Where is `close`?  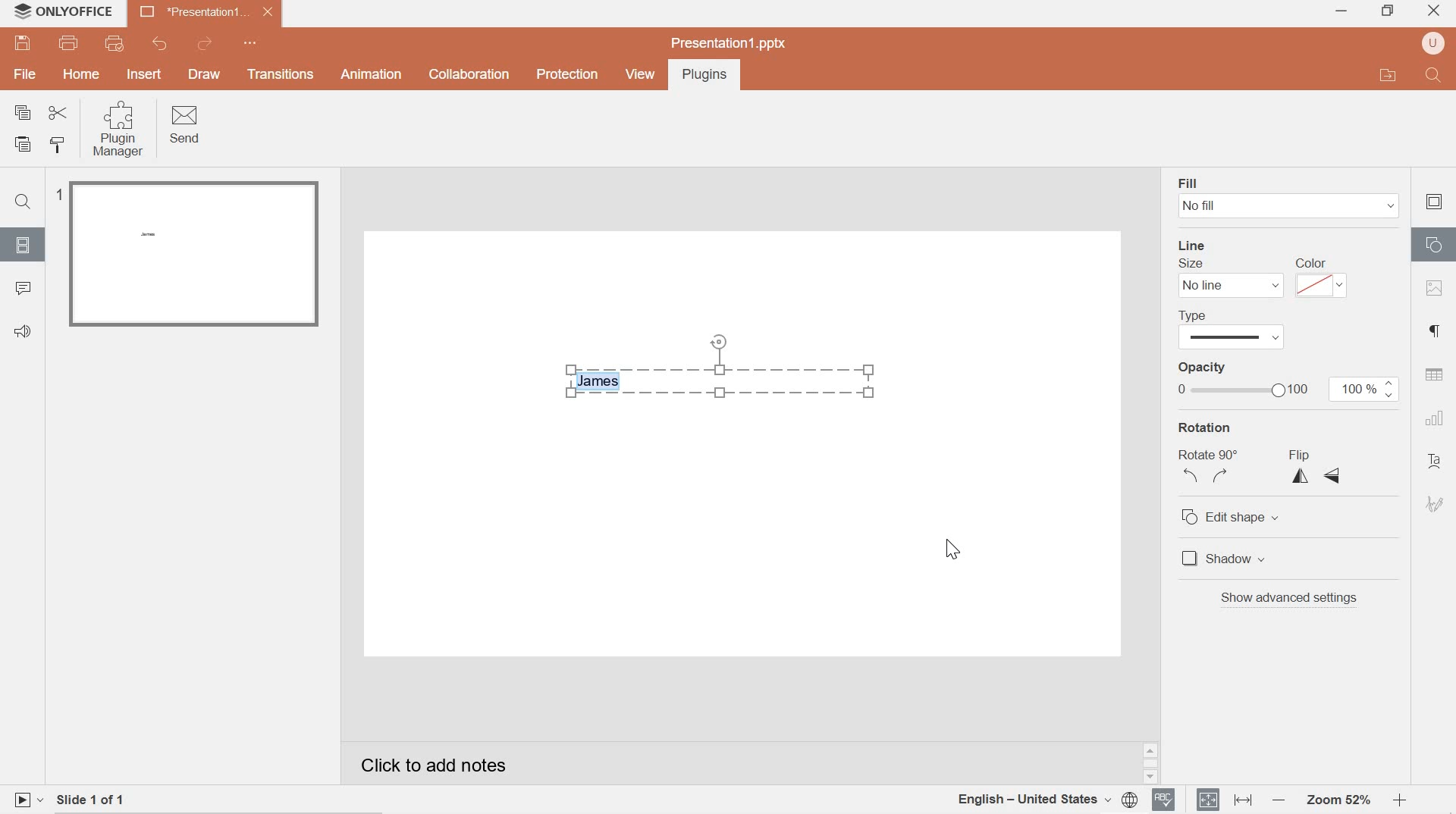
close is located at coordinates (1436, 8).